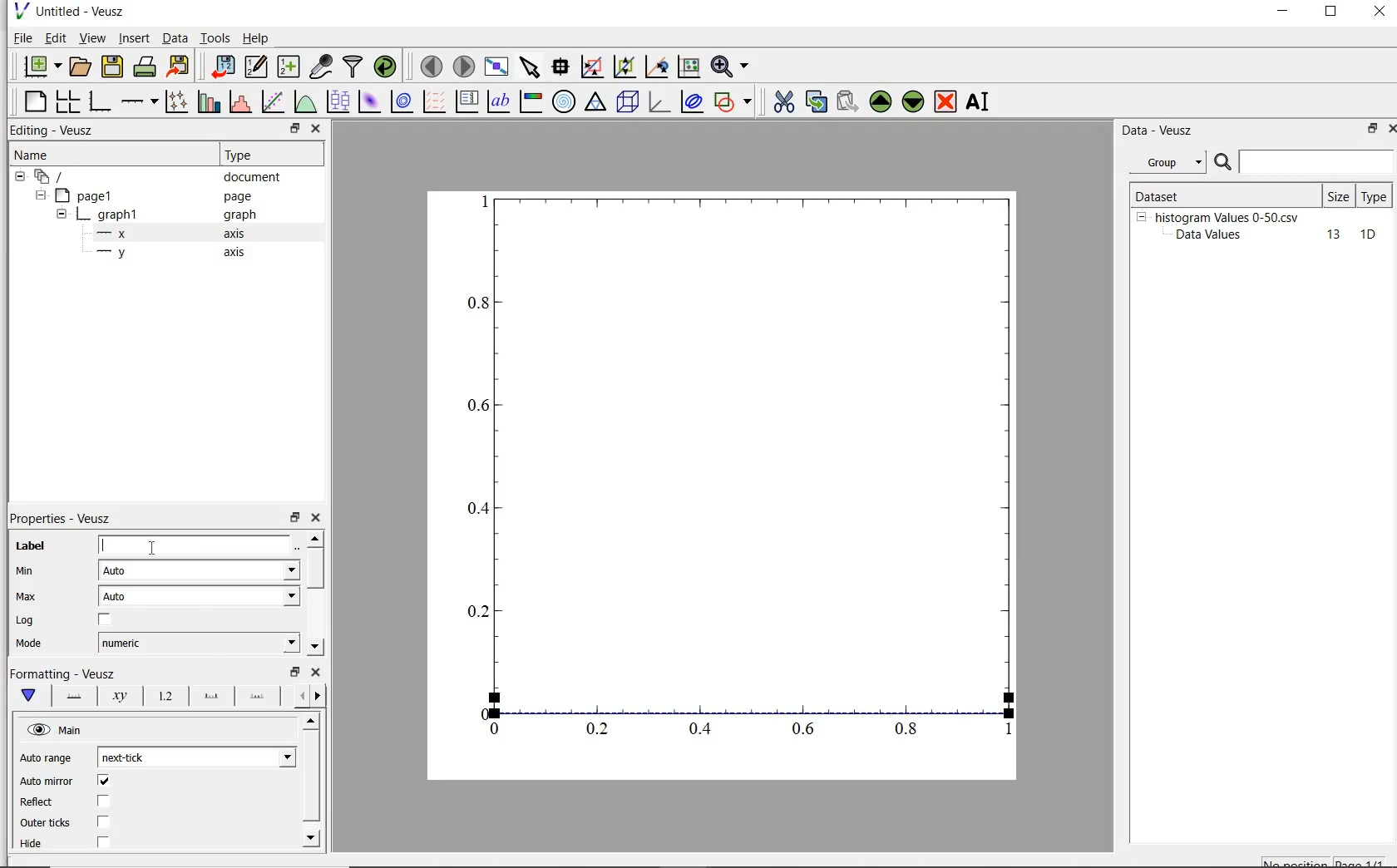 The height and width of the screenshot is (868, 1397). Describe the element at coordinates (879, 102) in the screenshot. I see `move up the selected widget` at that location.